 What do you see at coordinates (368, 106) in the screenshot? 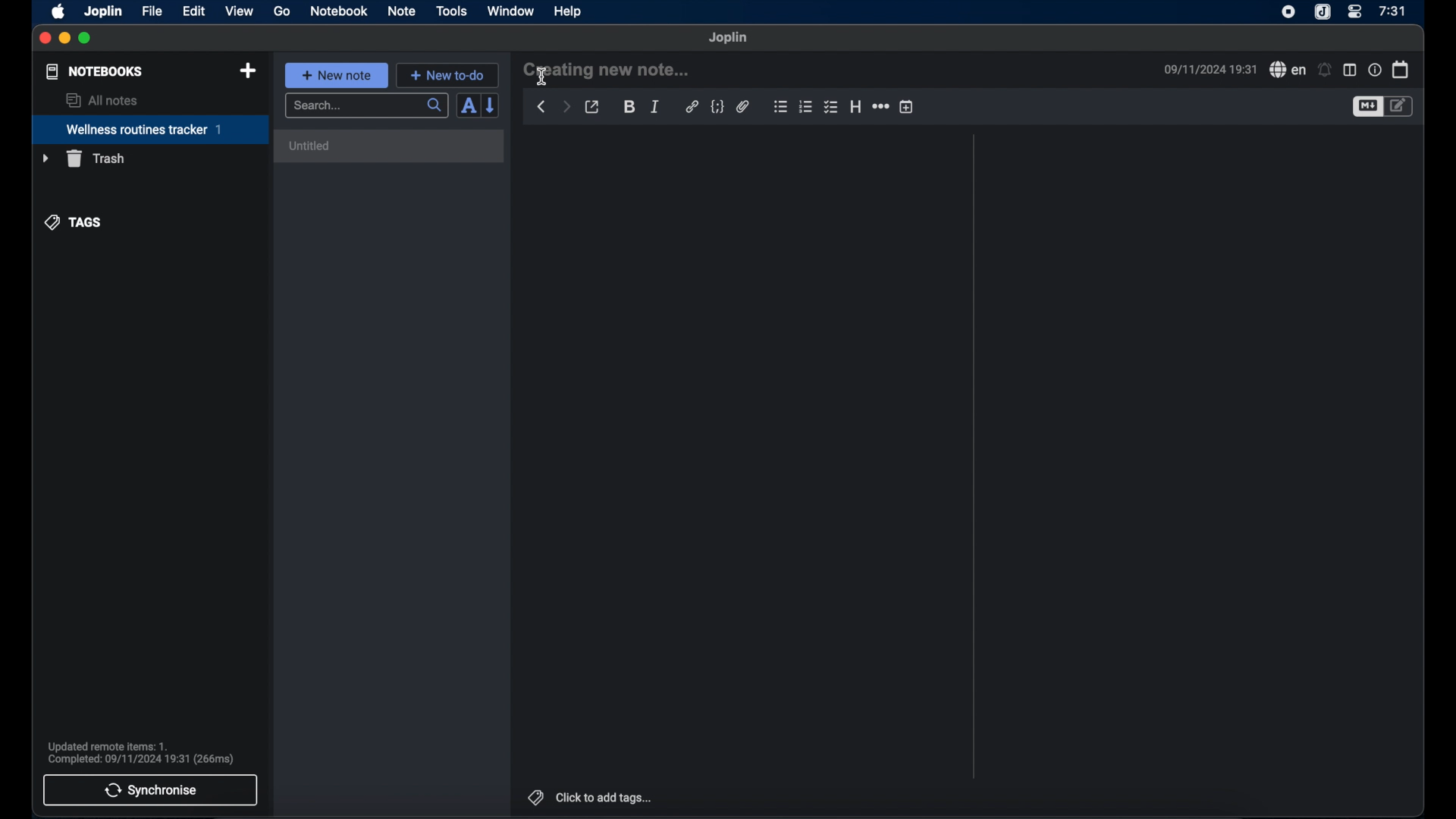
I see `search...` at bounding box center [368, 106].